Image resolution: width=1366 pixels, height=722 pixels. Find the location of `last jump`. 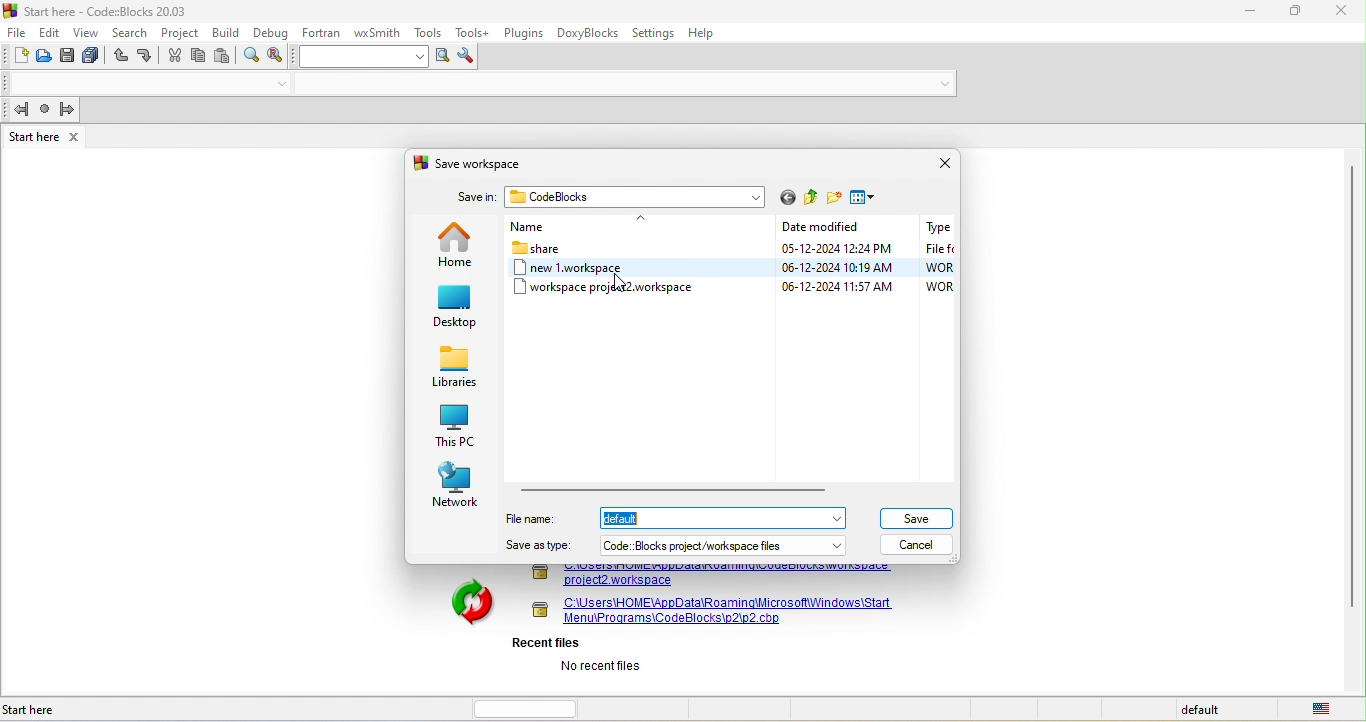

last jump is located at coordinates (45, 111).